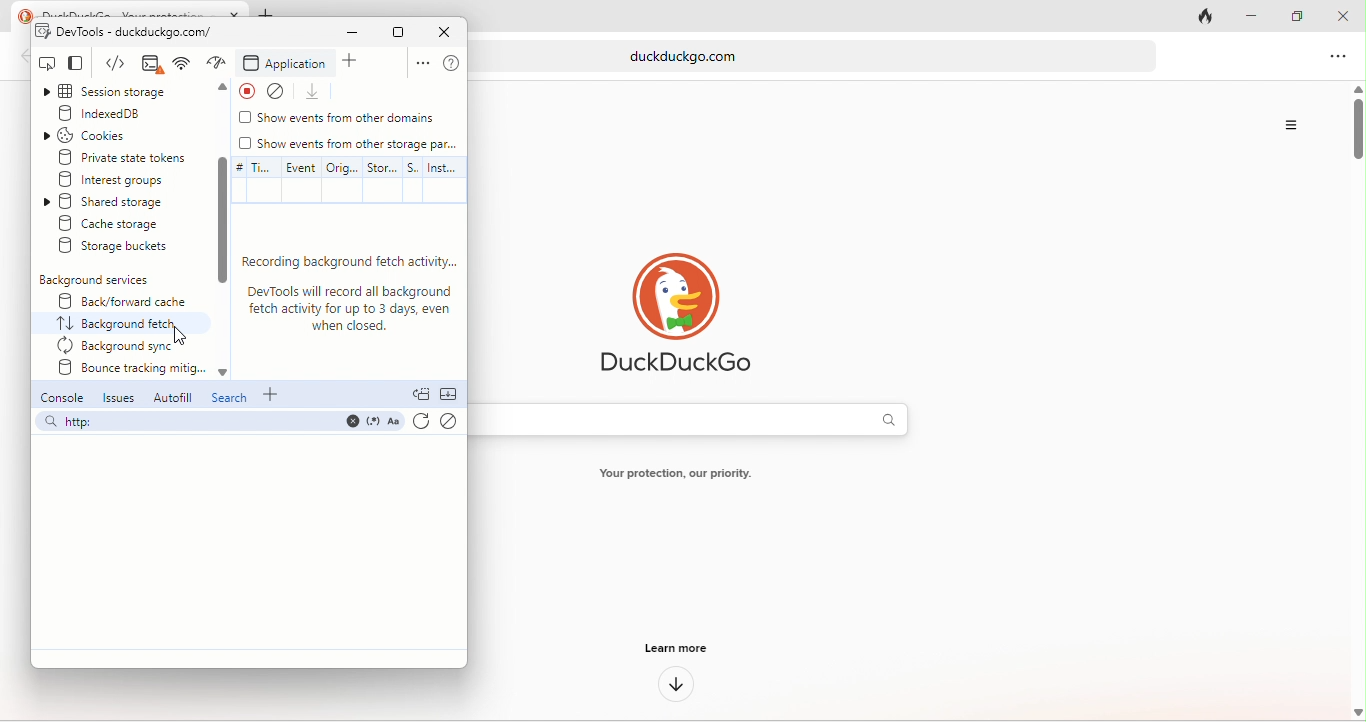 The image size is (1366, 722). Describe the element at coordinates (124, 224) in the screenshot. I see `create storage` at that location.